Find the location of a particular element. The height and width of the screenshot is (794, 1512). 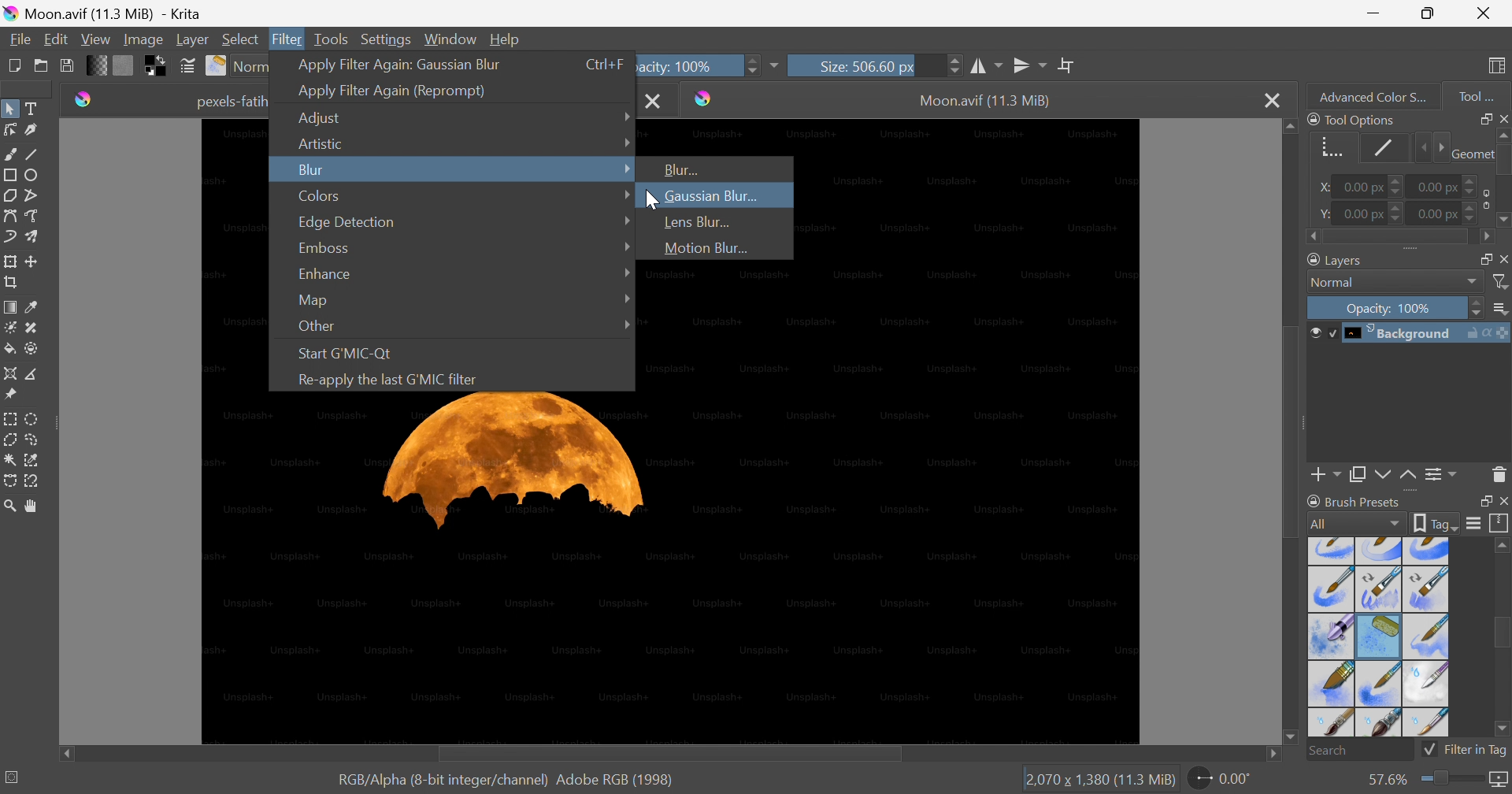

Drop Down is located at coordinates (626, 194).